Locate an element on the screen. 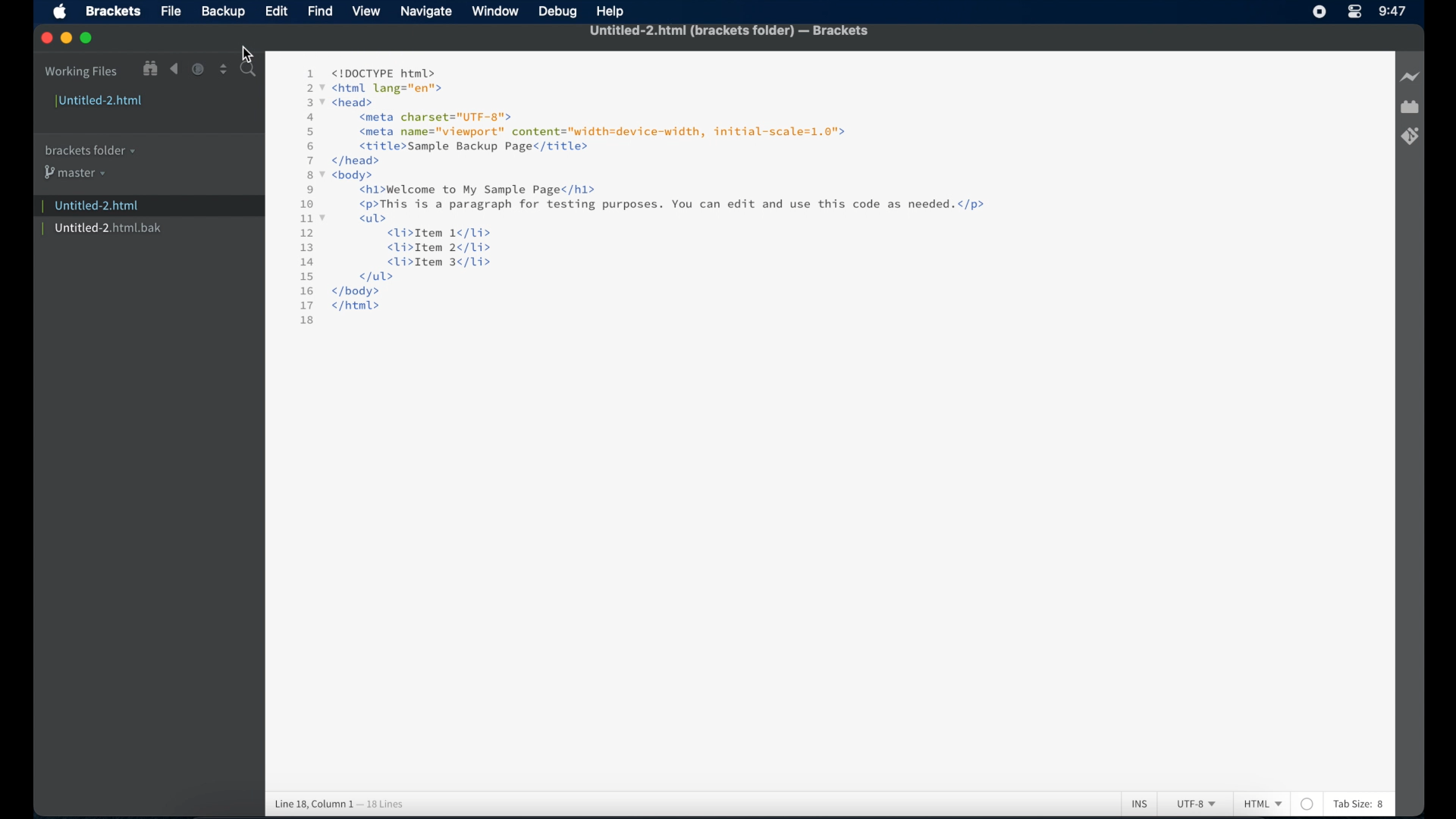 This screenshot has width=1456, height=819. untitled-2.html is located at coordinates (100, 102).